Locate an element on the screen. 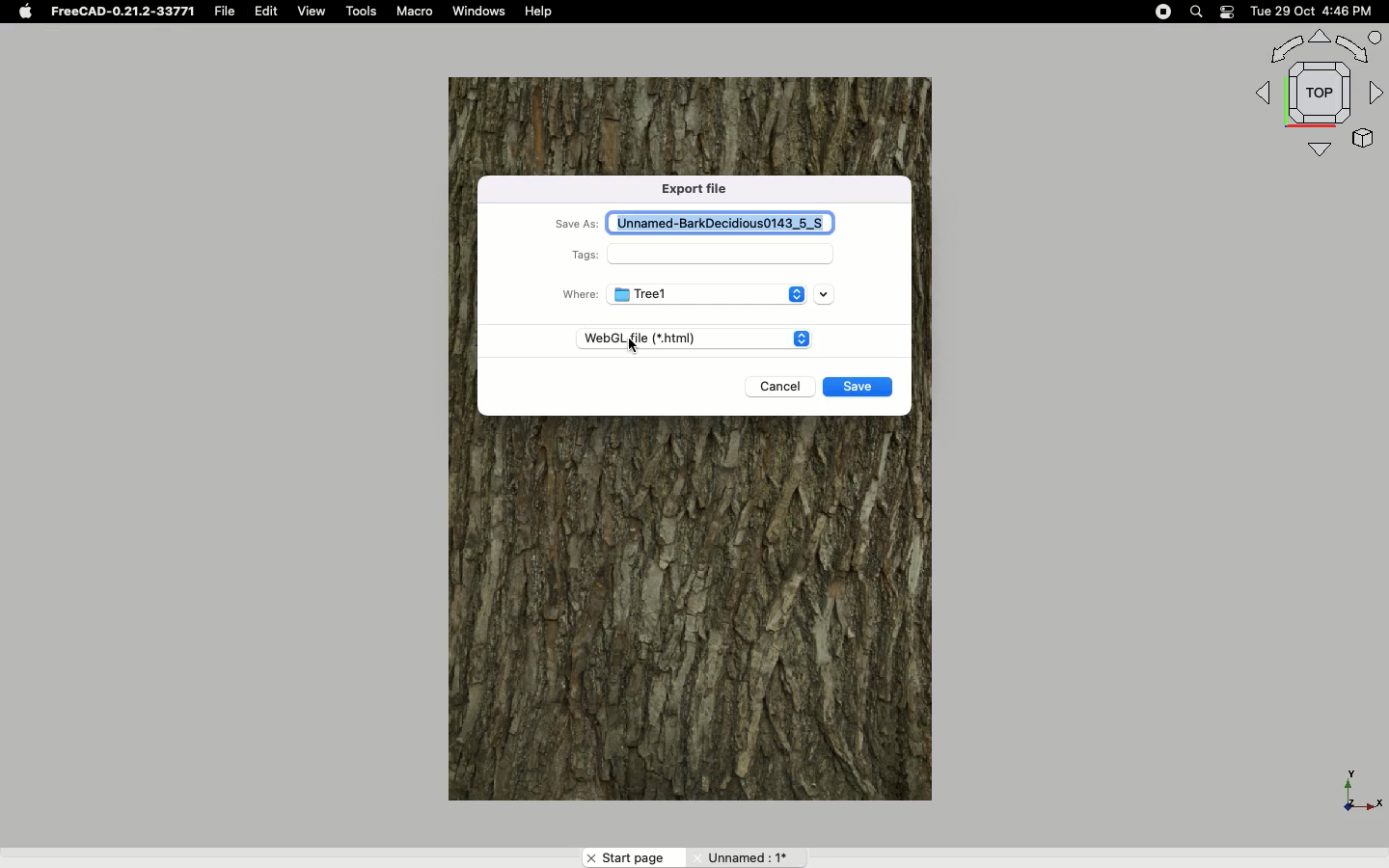 The height and width of the screenshot is (868, 1389). Where is located at coordinates (577, 293).